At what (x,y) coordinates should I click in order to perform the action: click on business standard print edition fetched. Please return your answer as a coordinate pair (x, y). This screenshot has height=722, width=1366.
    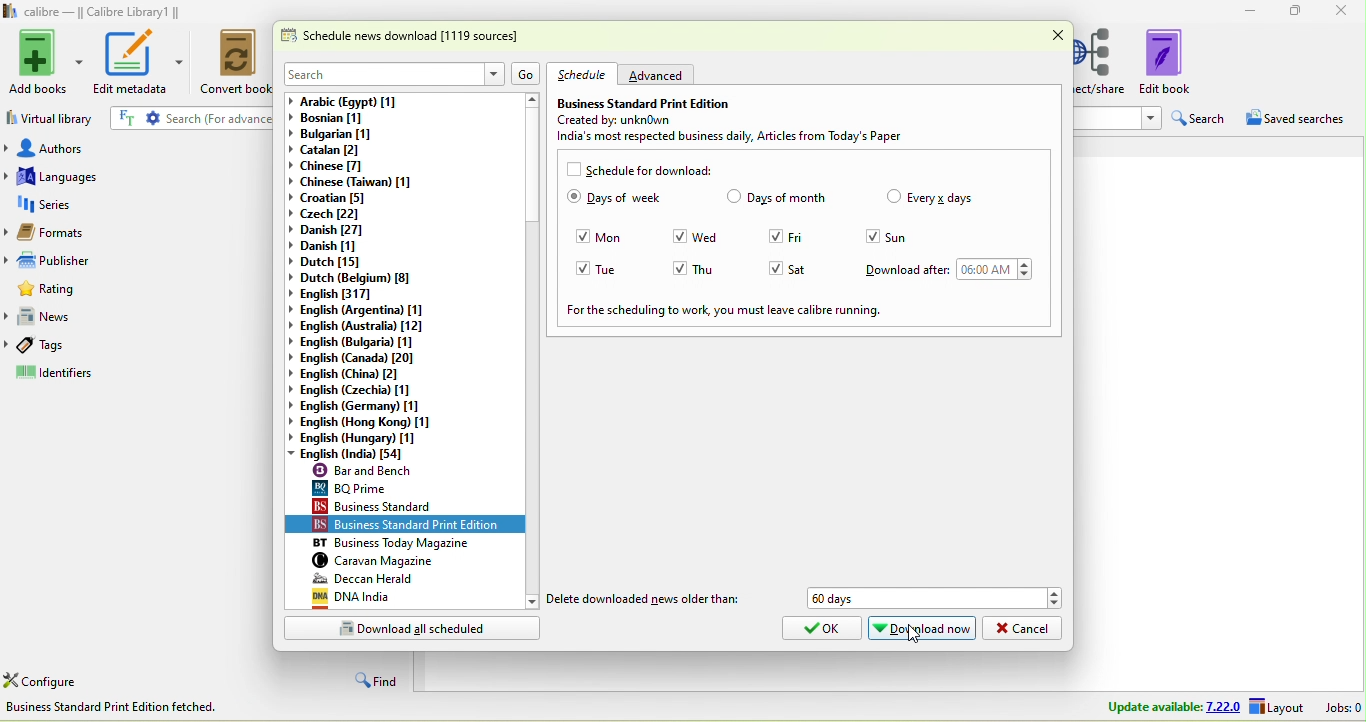
    Looking at the image, I should click on (116, 706).